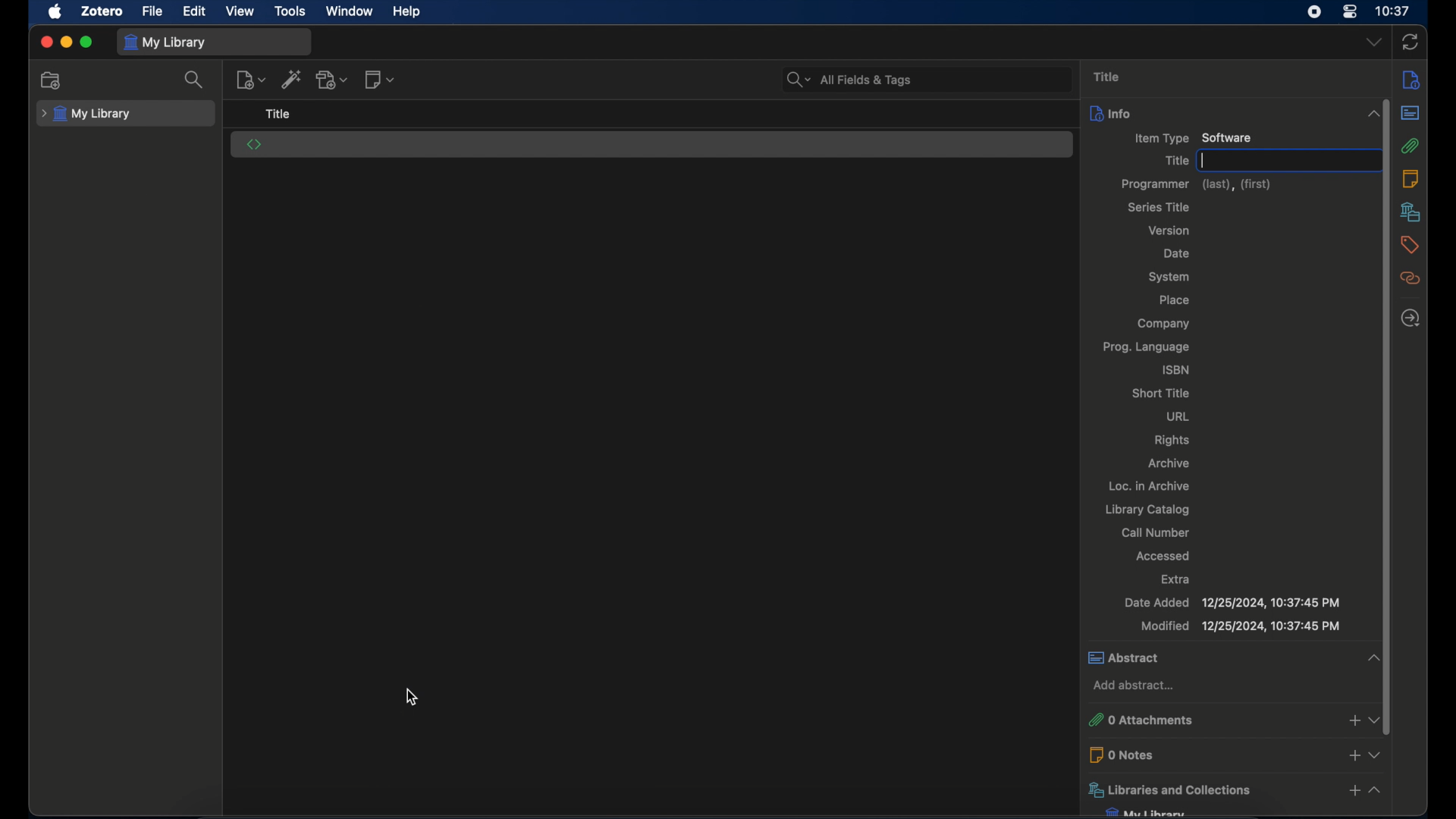  I want to click on add libraries, so click(1350, 791).